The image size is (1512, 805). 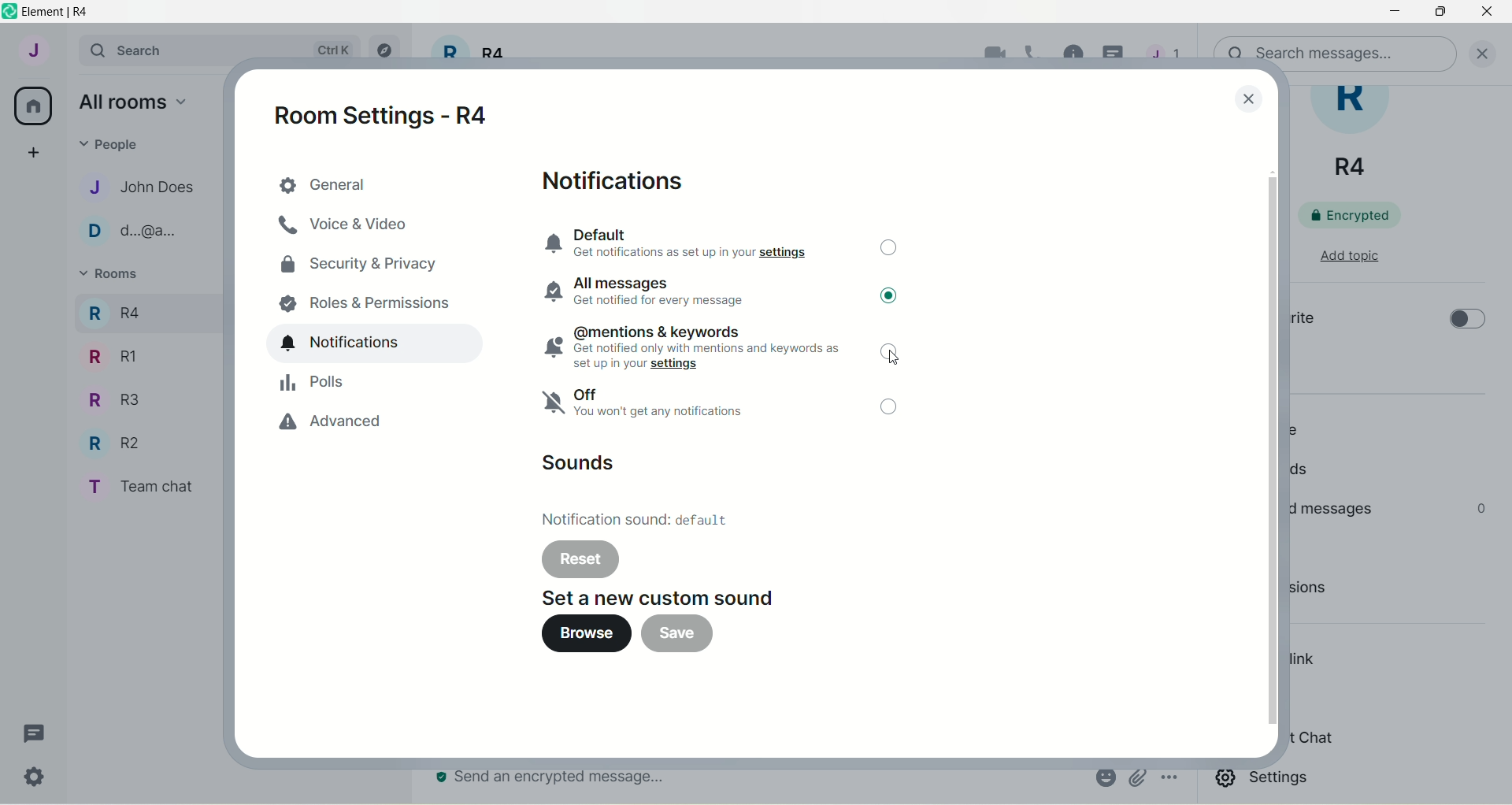 What do you see at coordinates (9, 12) in the screenshot?
I see `logo` at bounding box center [9, 12].